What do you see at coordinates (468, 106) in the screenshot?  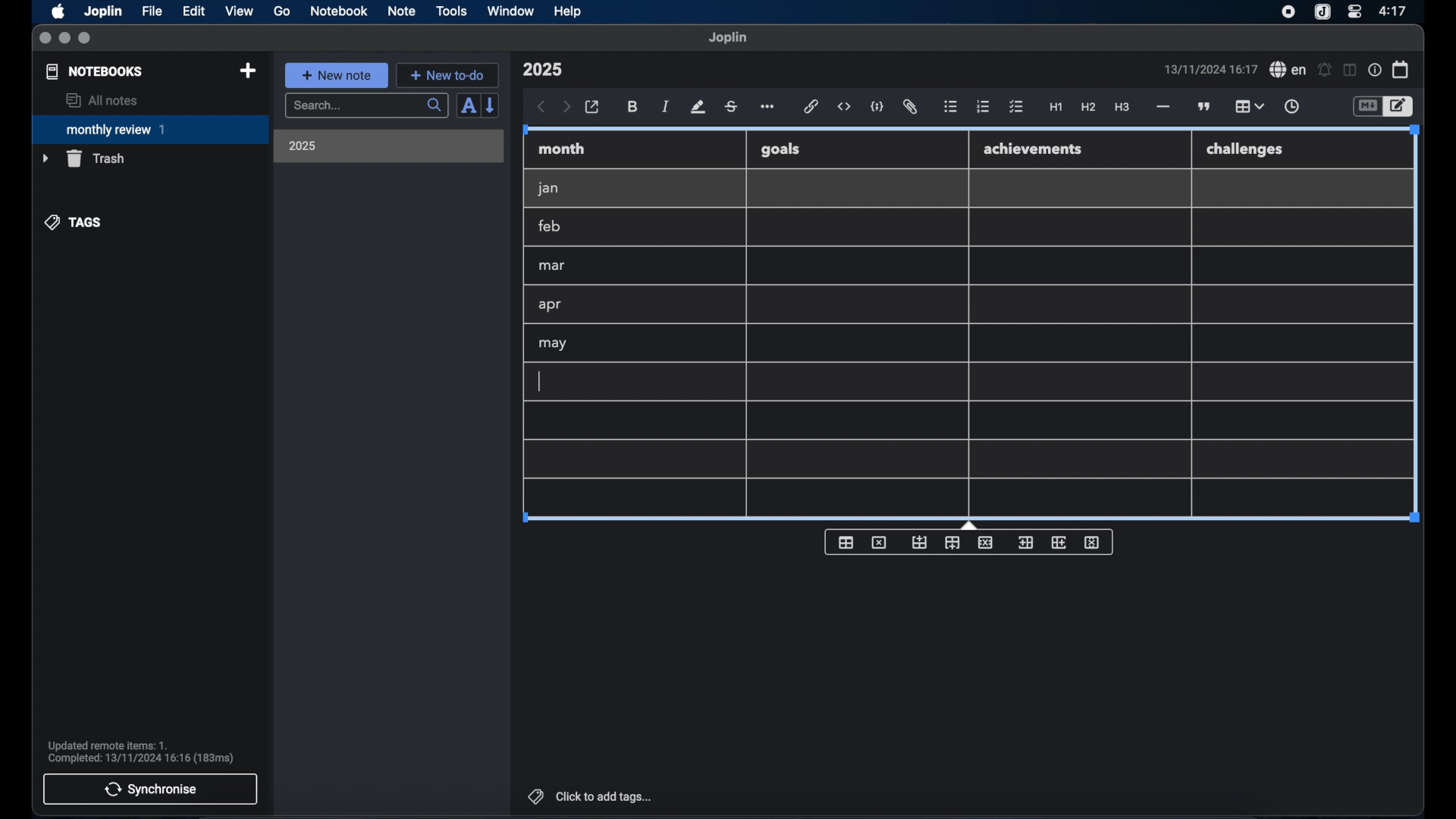 I see `sort order field` at bounding box center [468, 106].